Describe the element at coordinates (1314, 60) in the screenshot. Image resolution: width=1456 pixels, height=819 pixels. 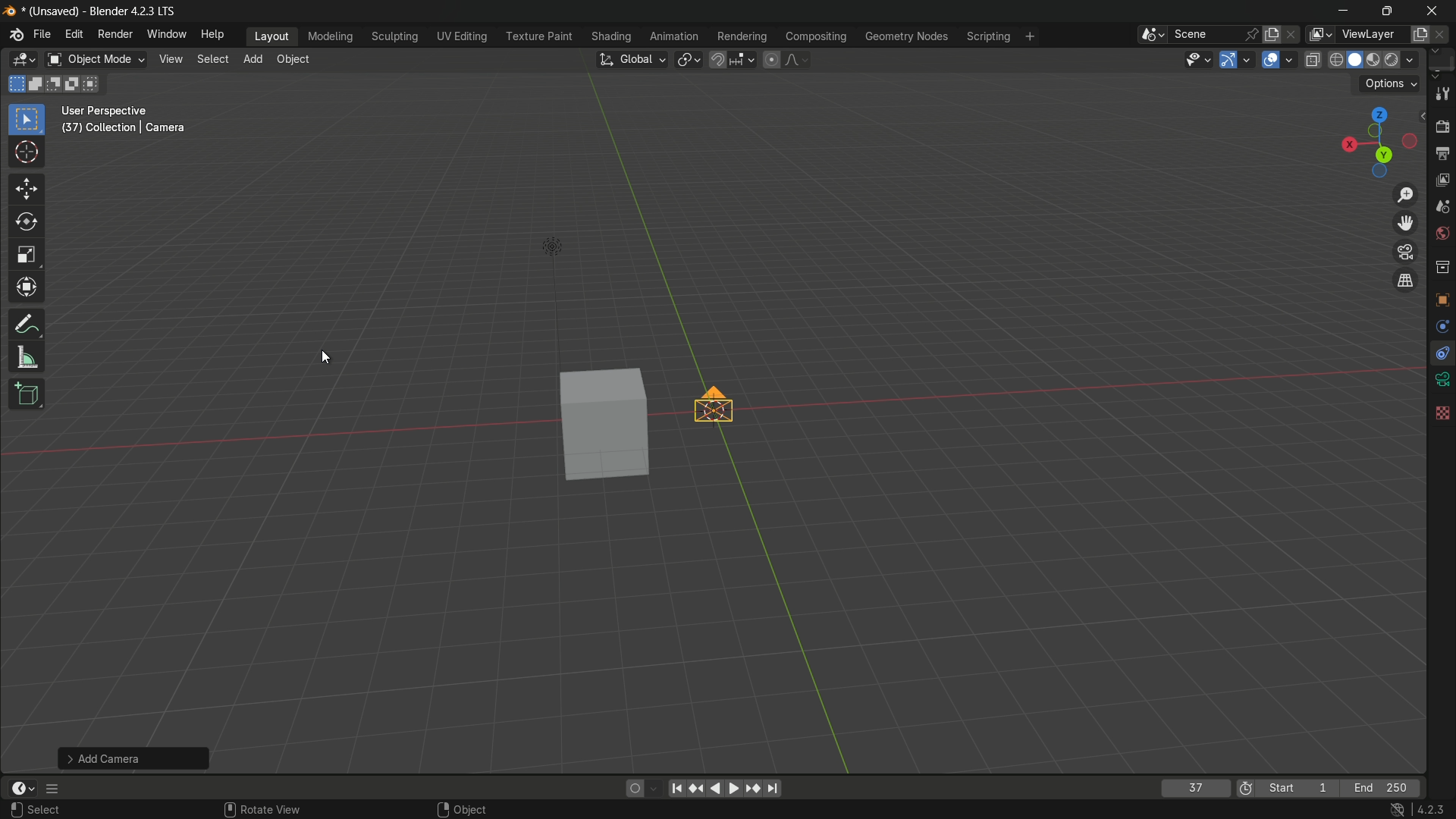
I see `toggle x-ray` at that location.